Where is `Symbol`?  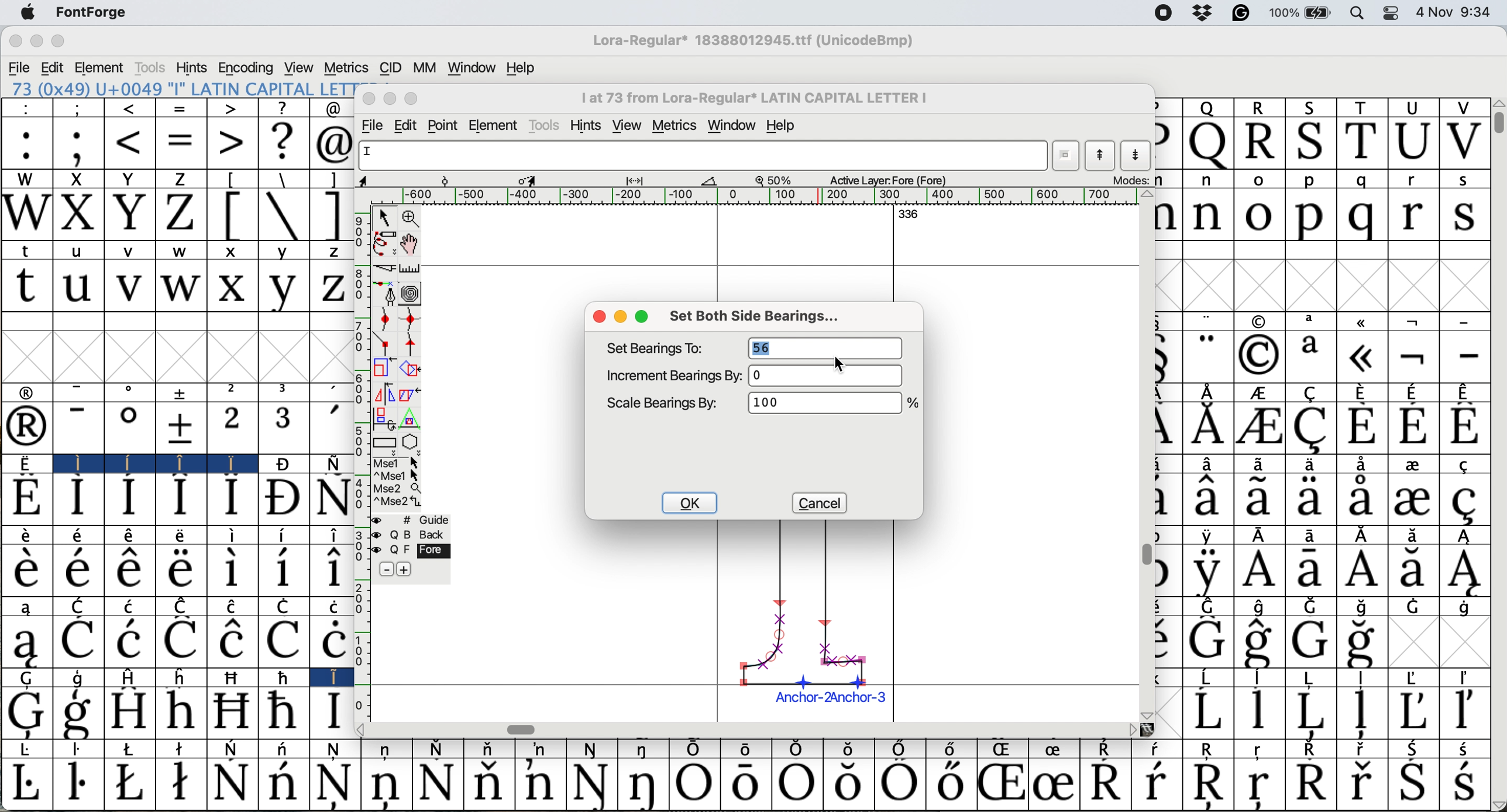 Symbol is located at coordinates (694, 785).